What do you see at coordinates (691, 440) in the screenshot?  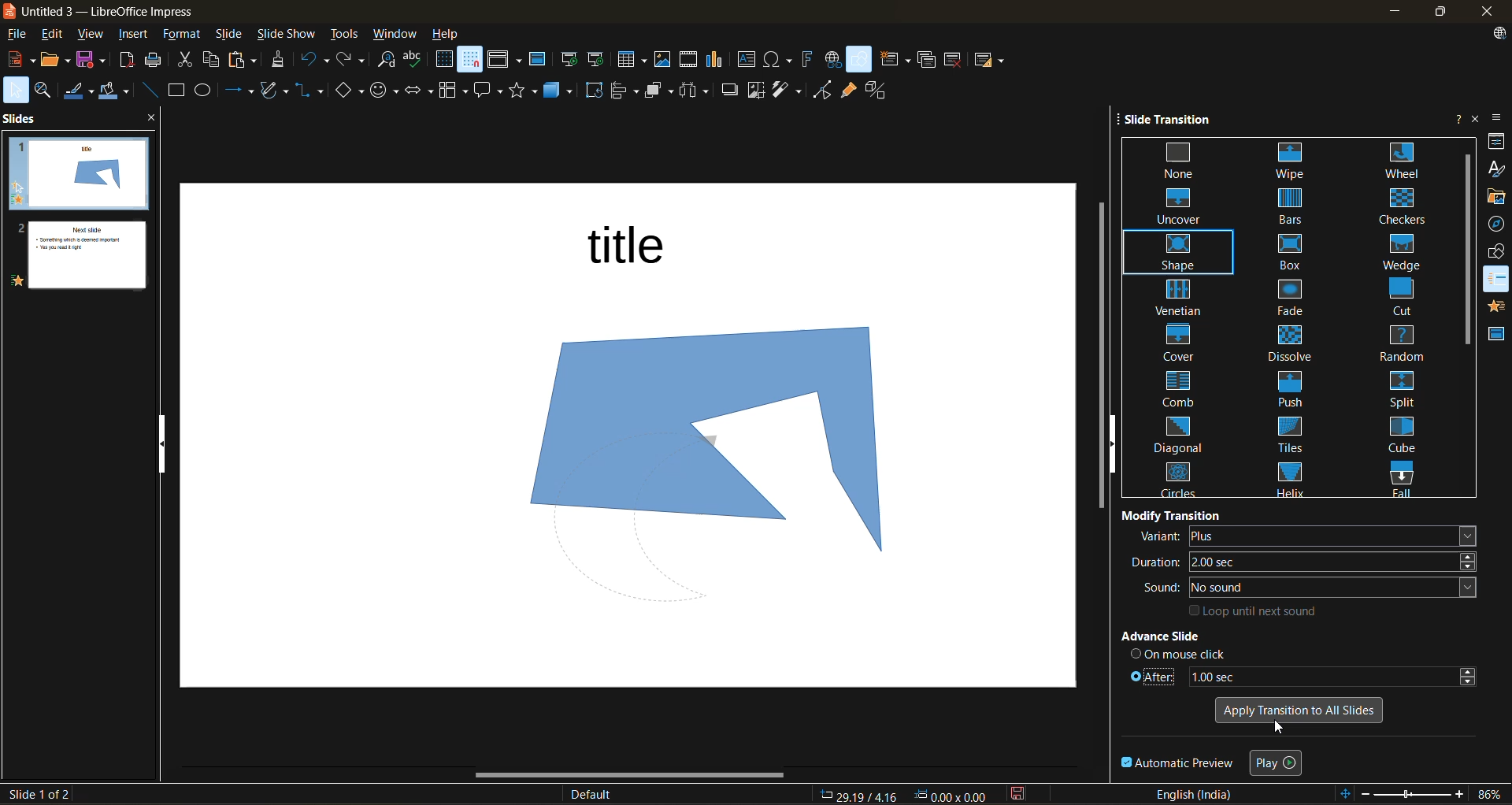 I see `image` at bounding box center [691, 440].